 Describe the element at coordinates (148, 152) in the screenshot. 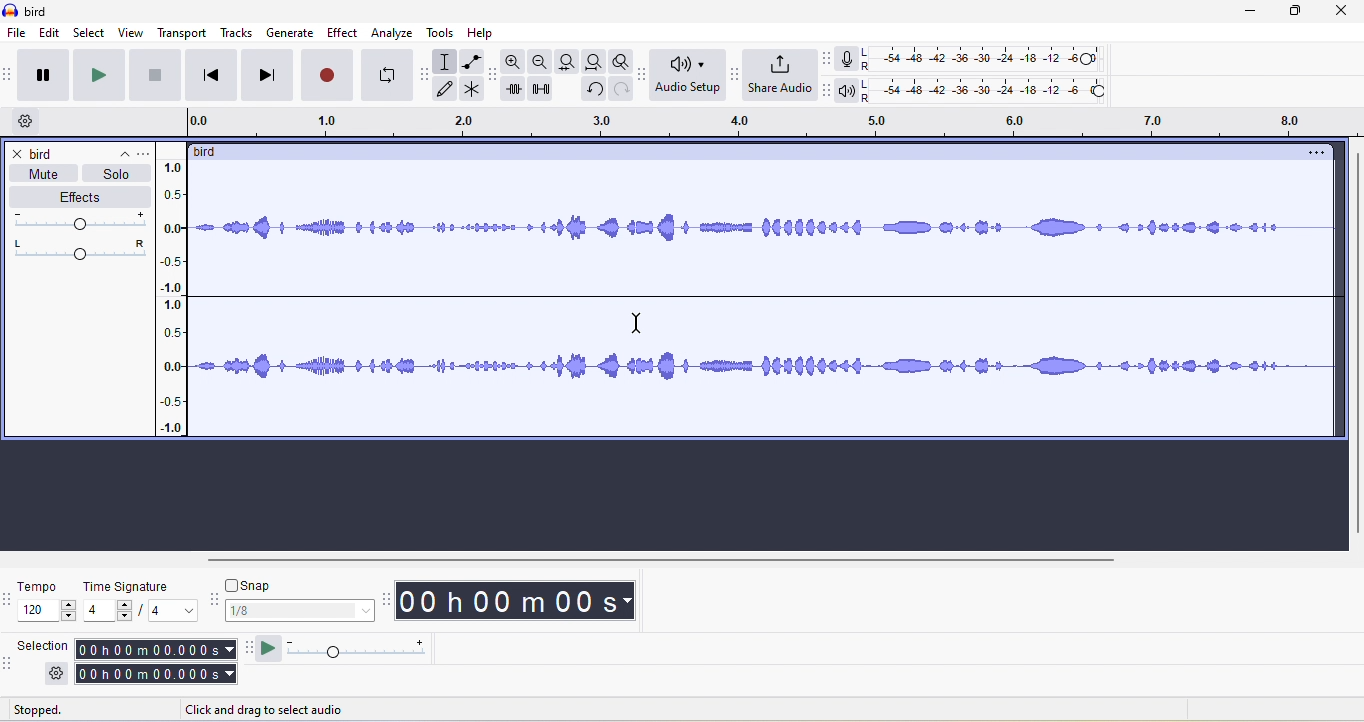

I see `open menu` at that location.